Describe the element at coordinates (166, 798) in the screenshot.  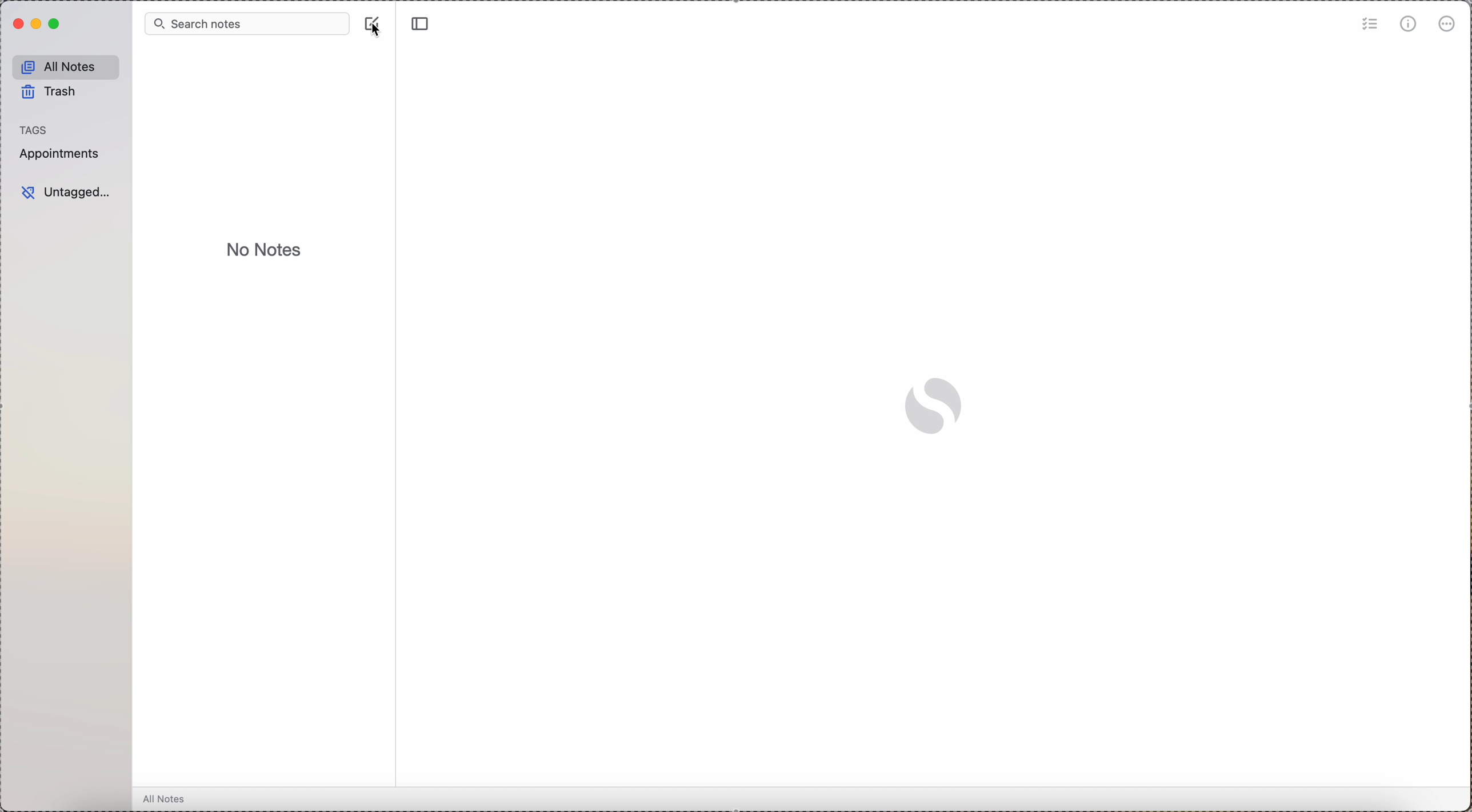
I see `all notes` at that location.